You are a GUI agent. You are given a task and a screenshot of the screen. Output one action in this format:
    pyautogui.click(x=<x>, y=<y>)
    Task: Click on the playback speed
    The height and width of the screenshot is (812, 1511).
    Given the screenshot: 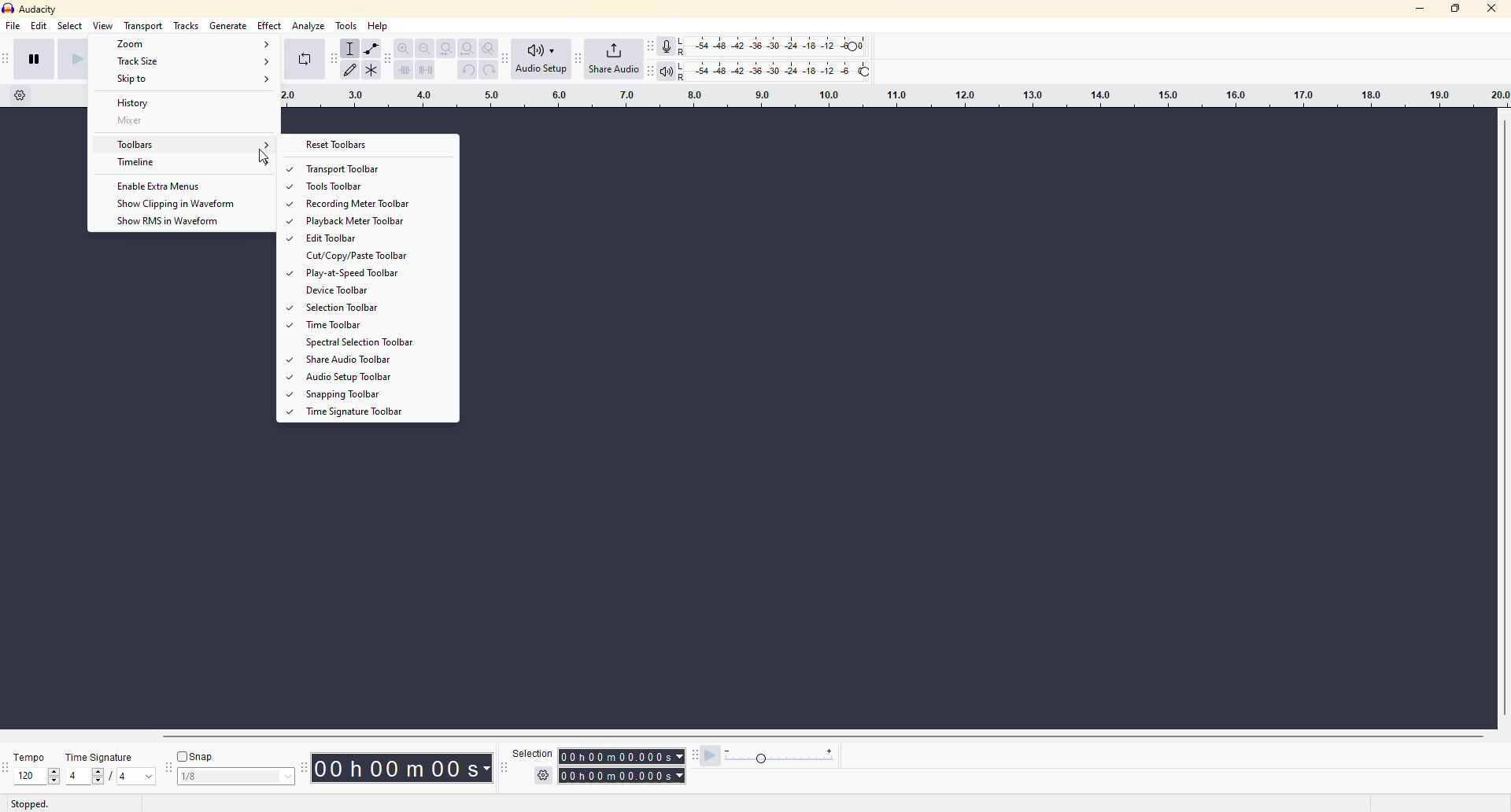 What is the action you would take?
    pyautogui.click(x=781, y=756)
    